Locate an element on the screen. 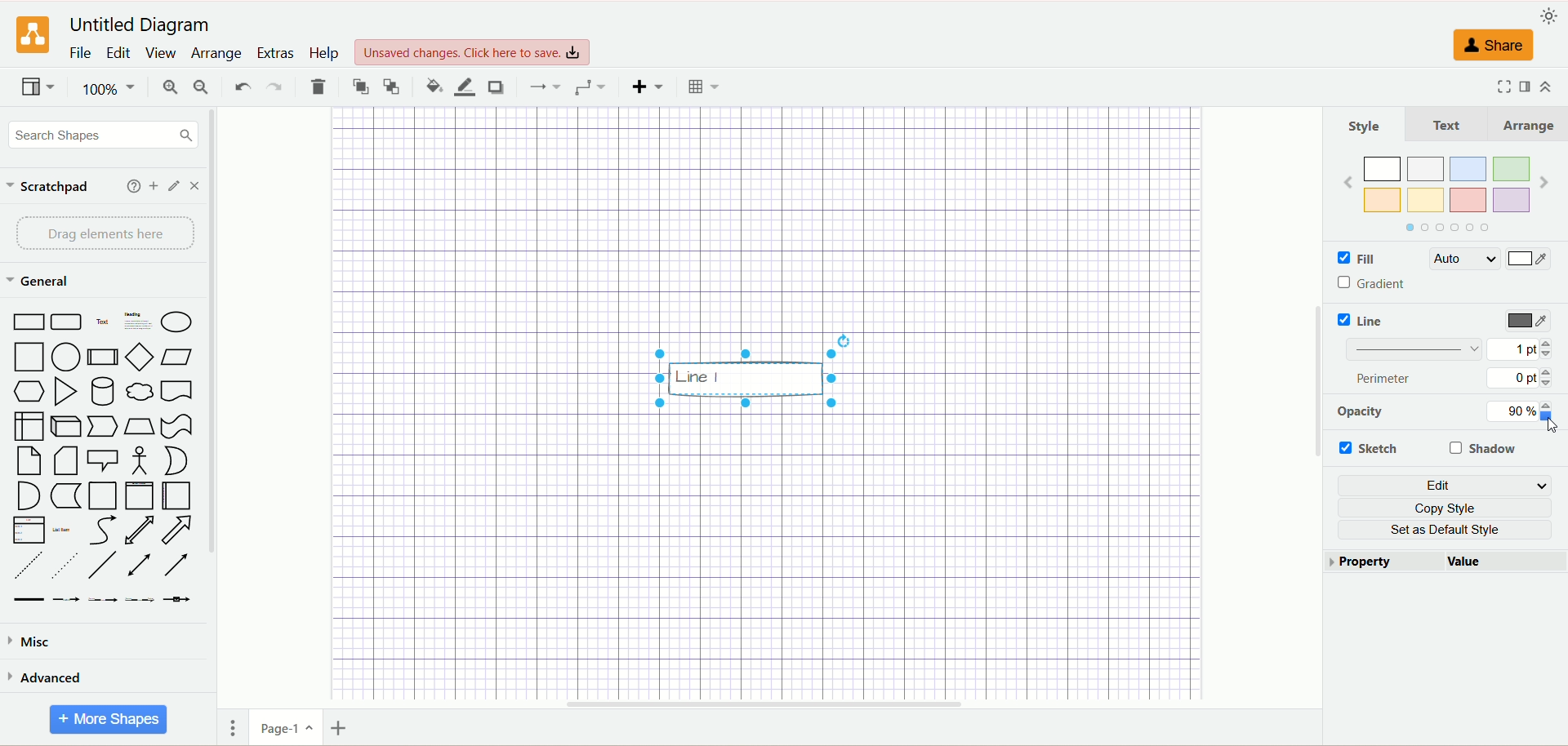 This screenshot has height=746, width=1568. Tape is located at coordinates (176, 426).